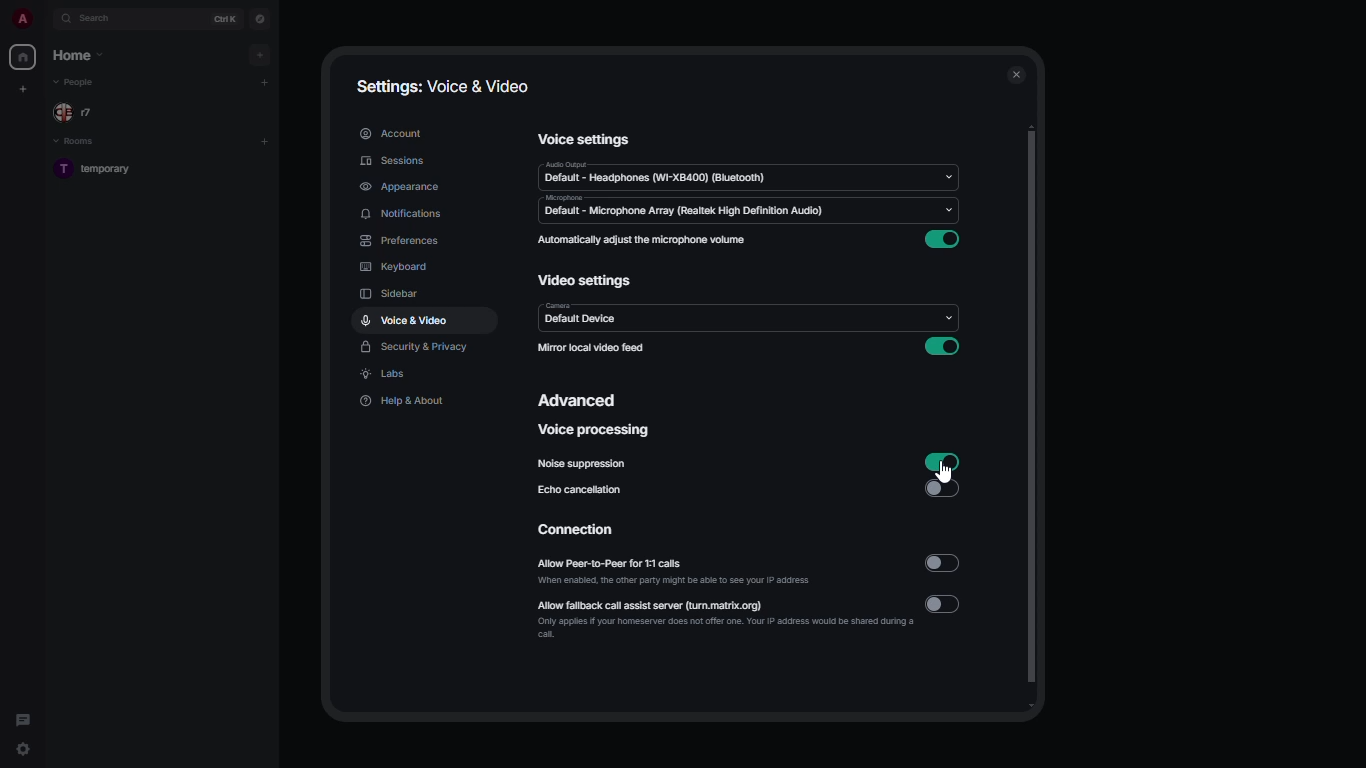 The height and width of the screenshot is (768, 1366). Describe the element at coordinates (944, 604) in the screenshot. I see `disabled` at that location.